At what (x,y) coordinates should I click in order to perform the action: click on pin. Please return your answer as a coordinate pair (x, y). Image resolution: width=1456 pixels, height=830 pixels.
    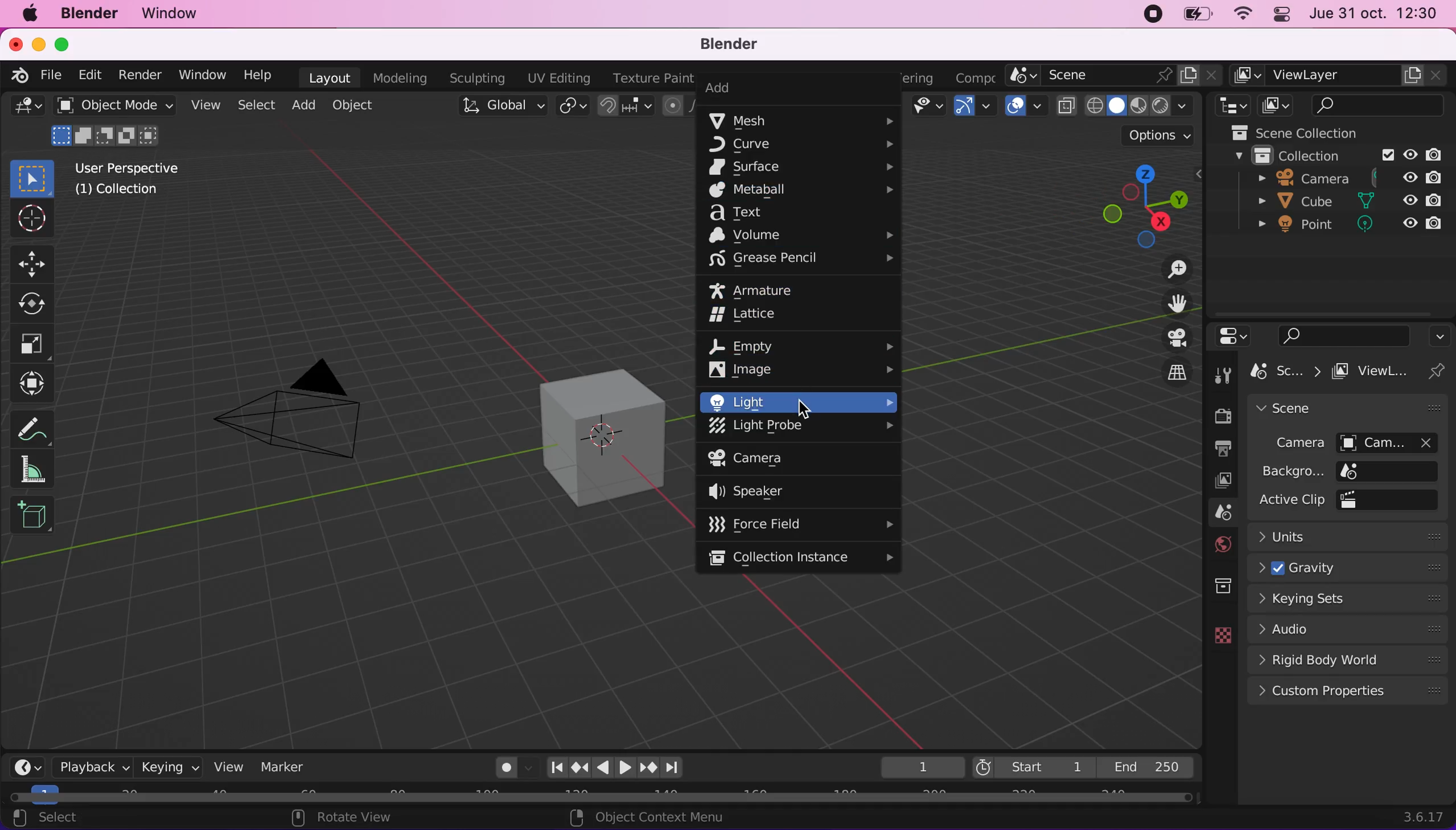
    Looking at the image, I should click on (1441, 371).